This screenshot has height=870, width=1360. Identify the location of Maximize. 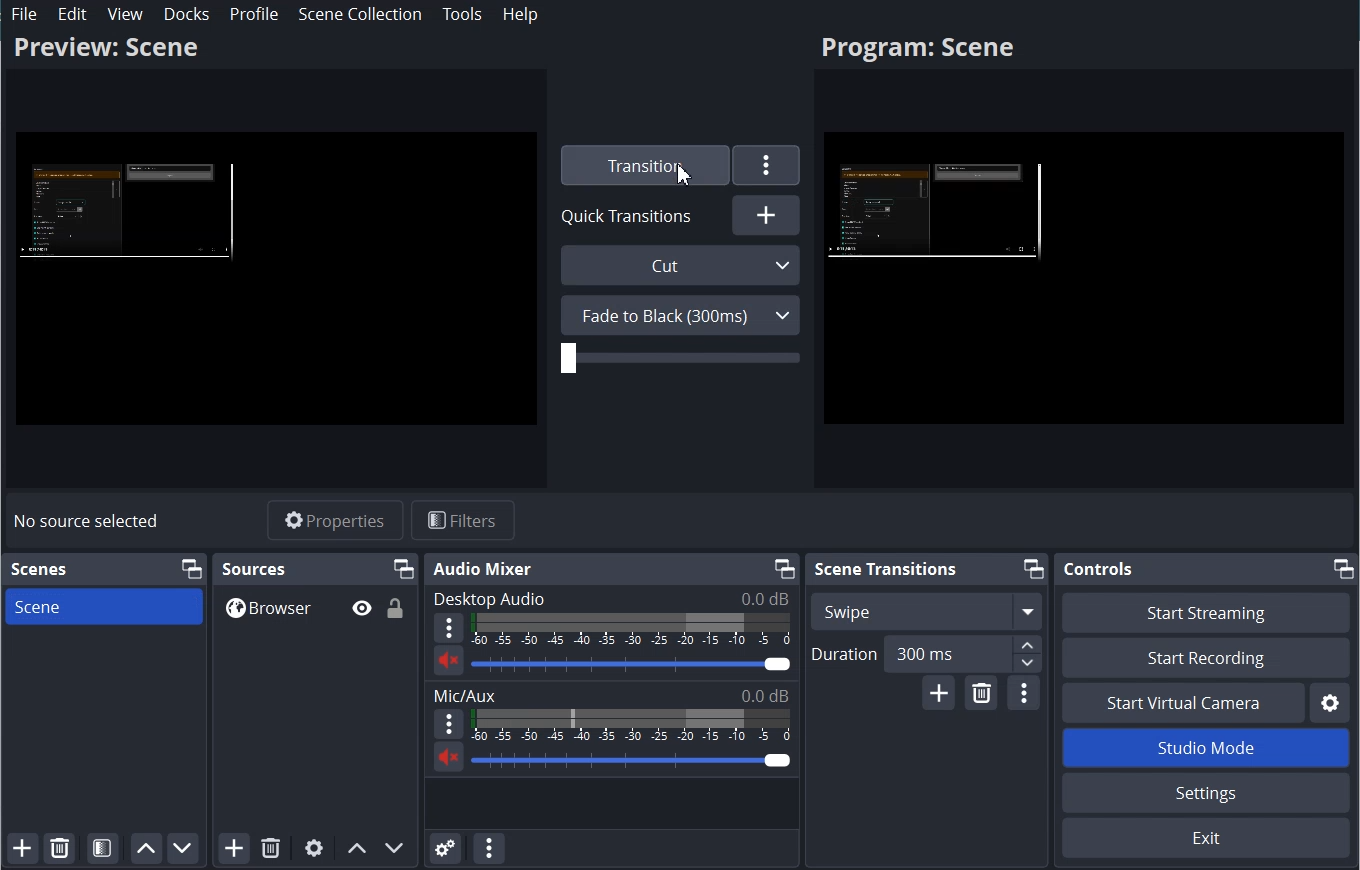
(782, 568).